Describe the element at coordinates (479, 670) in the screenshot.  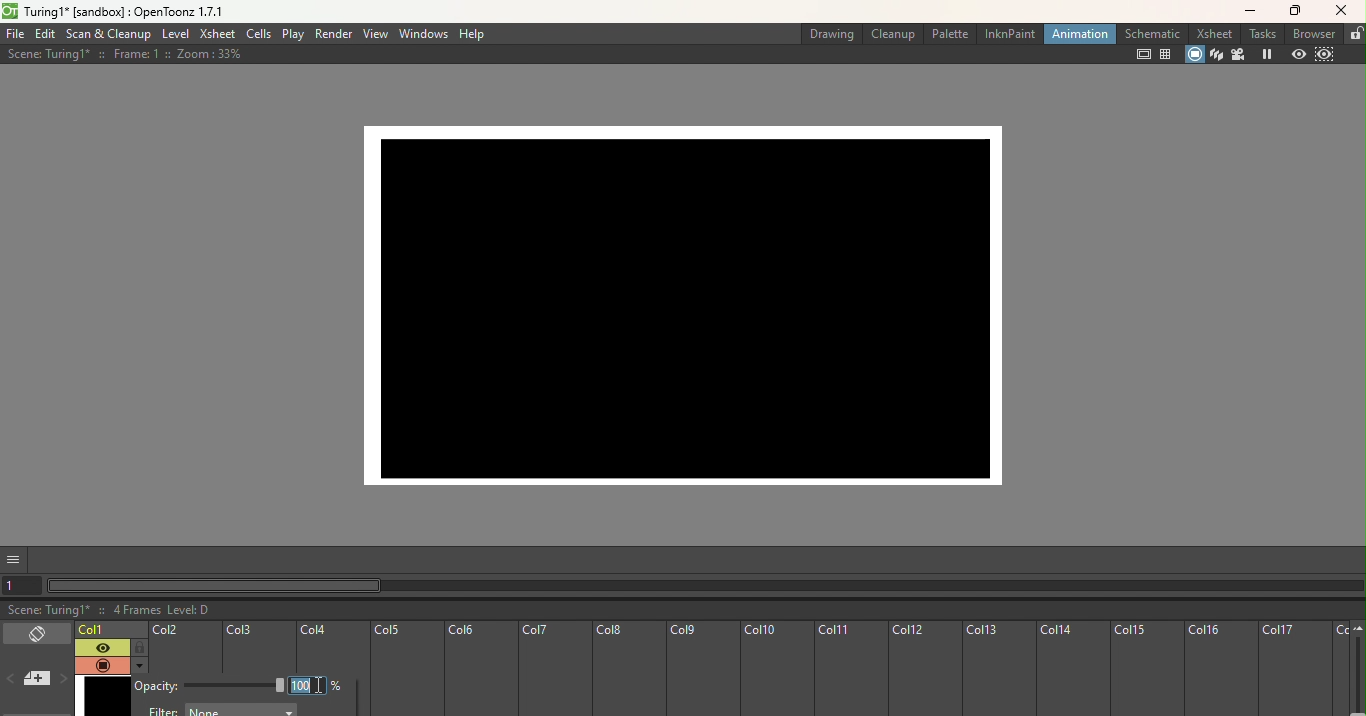
I see `Col6` at that location.